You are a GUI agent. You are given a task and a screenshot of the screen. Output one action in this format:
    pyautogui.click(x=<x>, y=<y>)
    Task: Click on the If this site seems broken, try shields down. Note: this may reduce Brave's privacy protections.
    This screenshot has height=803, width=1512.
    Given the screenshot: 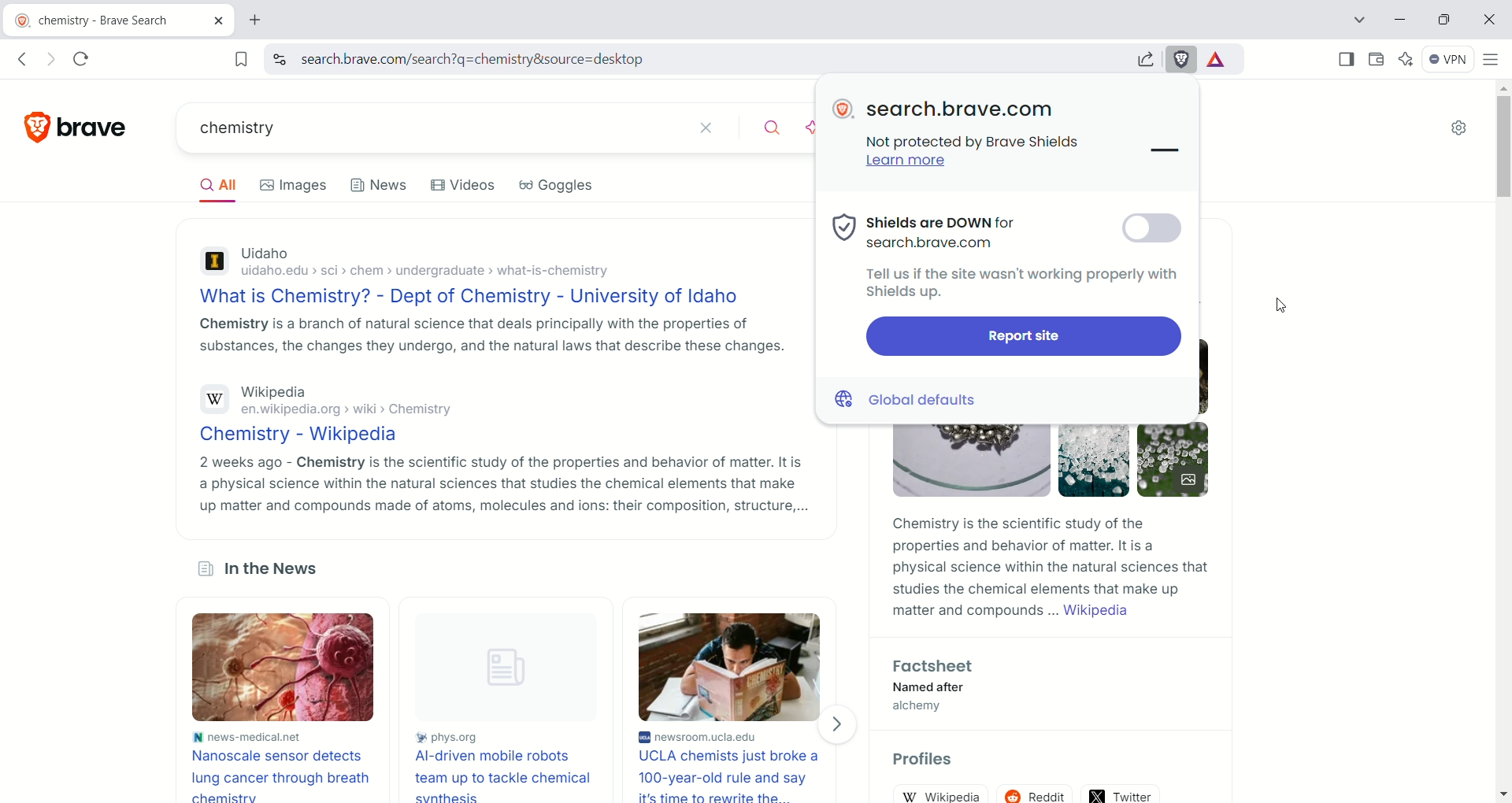 What is the action you would take?
    pyautogui.click(x=1013, y=284)
    